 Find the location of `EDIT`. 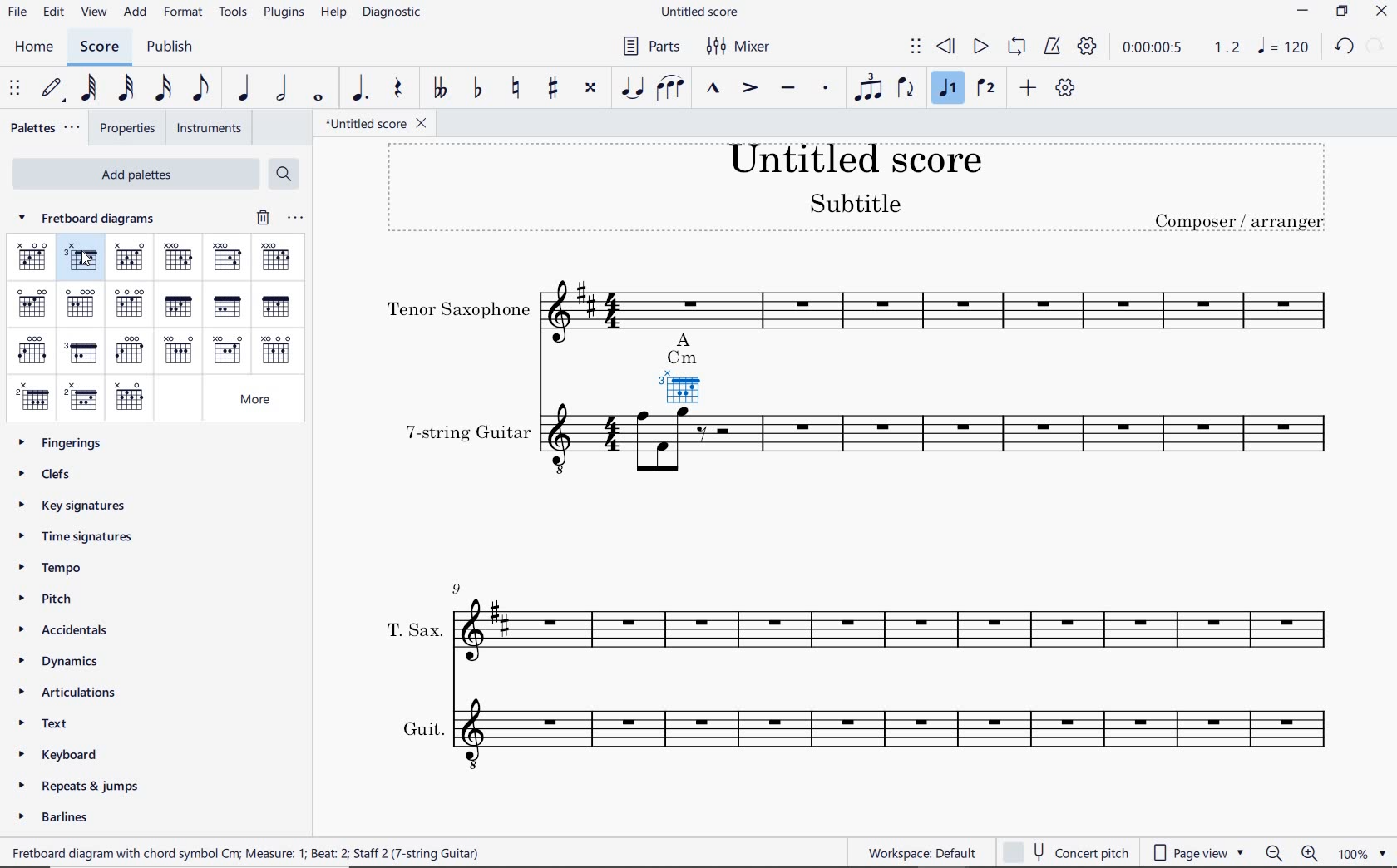

EDIT is located at coordinates (52, 11).